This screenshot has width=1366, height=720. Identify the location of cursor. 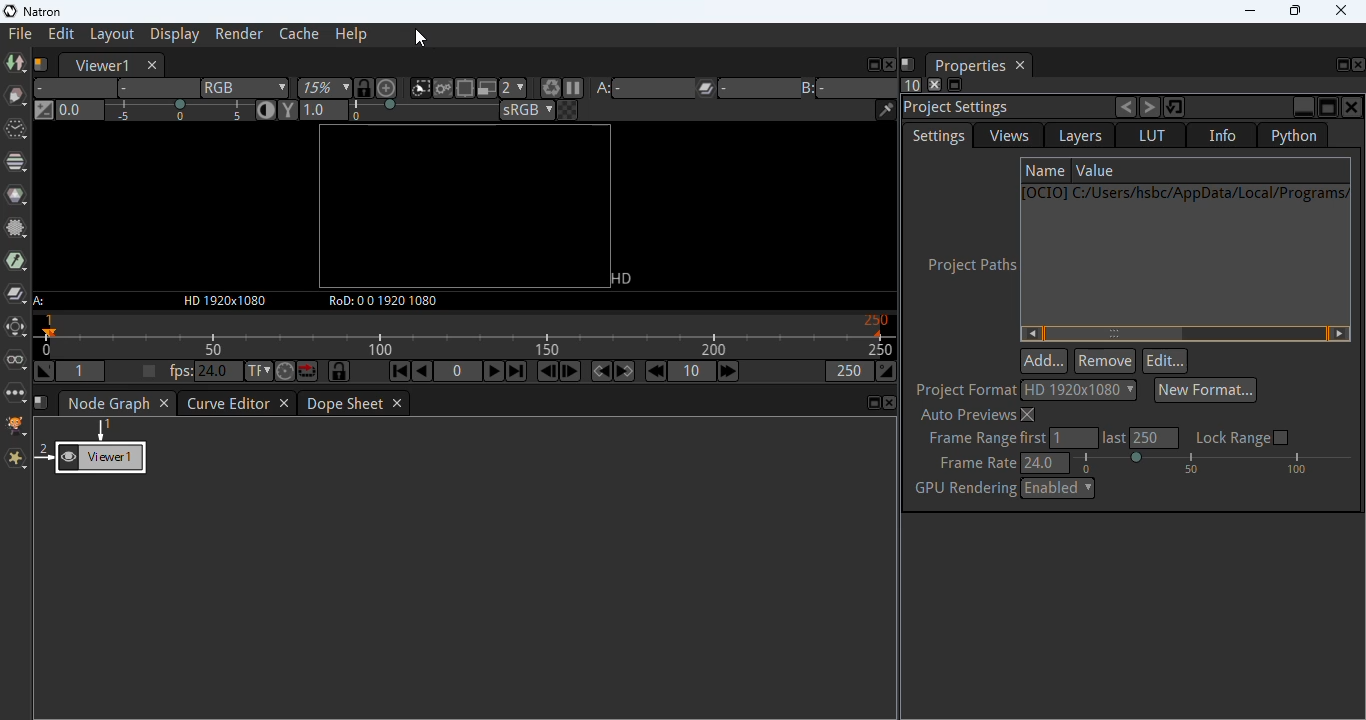
(422, 39).